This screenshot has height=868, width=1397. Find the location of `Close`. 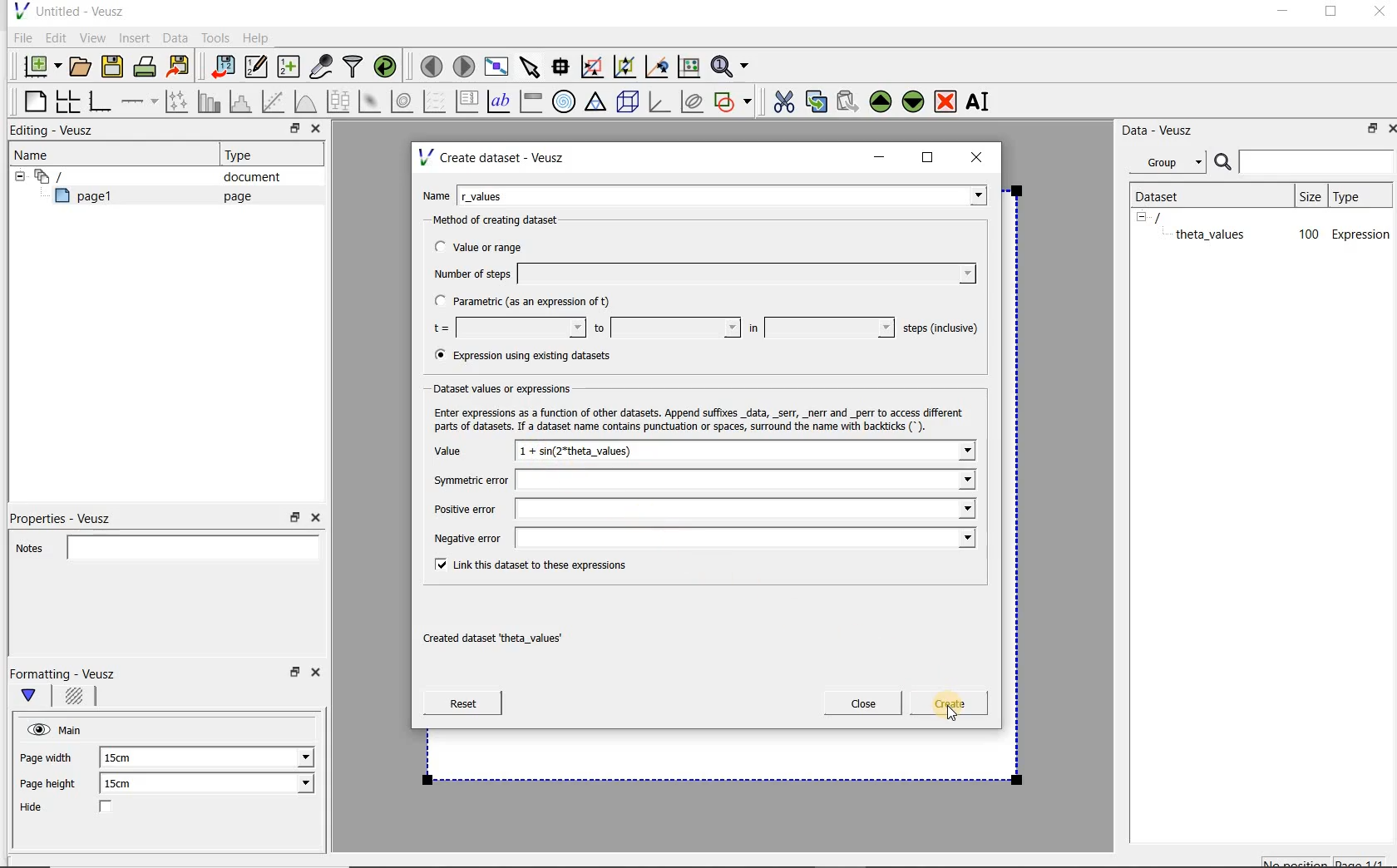

Close is located at coordinates (863, 703).